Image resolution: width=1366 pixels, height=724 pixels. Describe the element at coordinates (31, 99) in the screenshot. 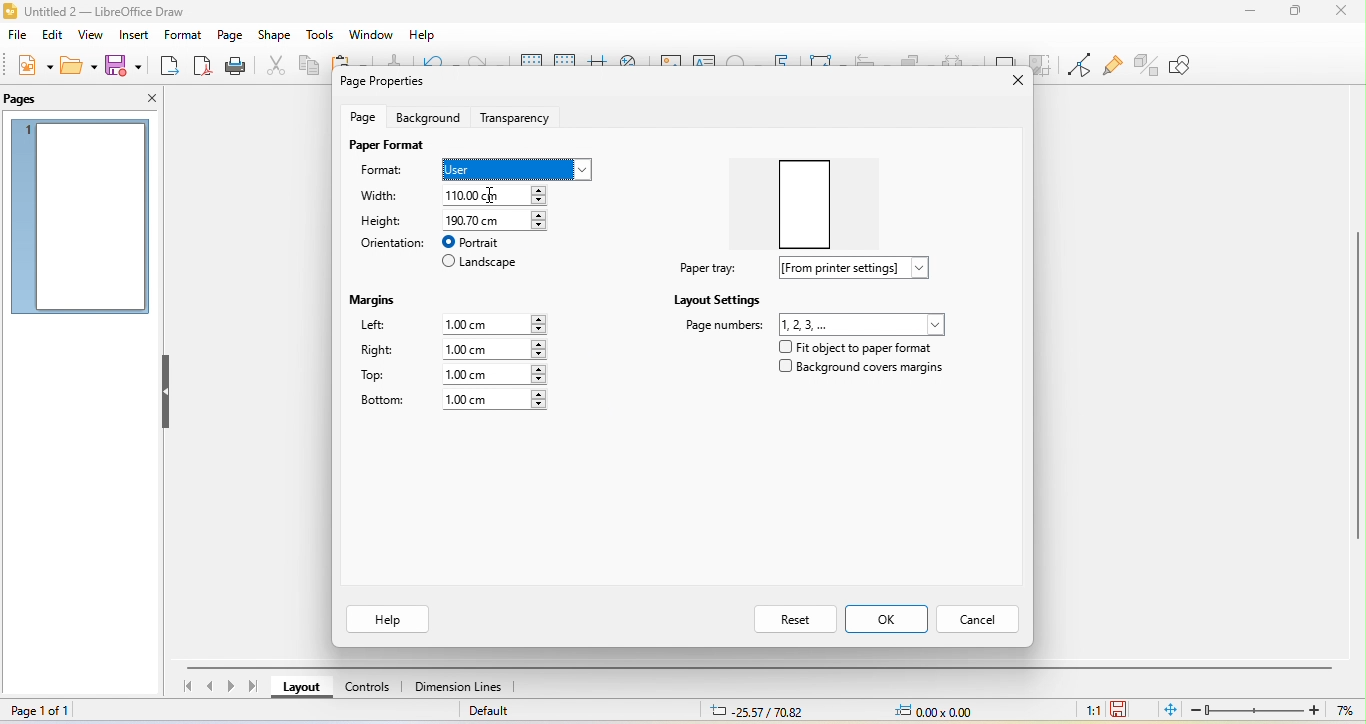

I see `pages` at that location.